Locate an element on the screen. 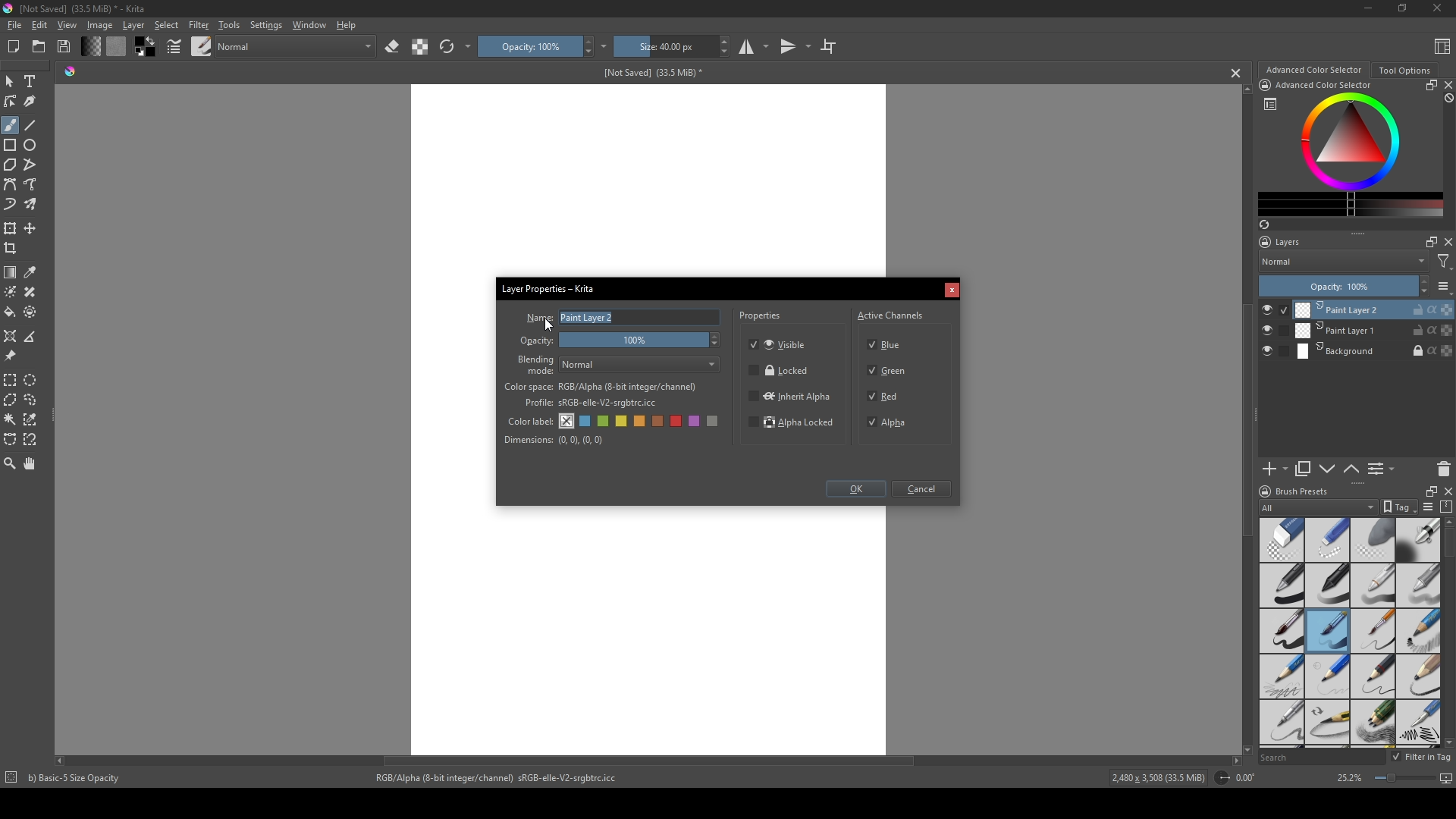 The width and height of the screenshot is (1456, 819). dynamic brush is located at coordinates (11, 206).